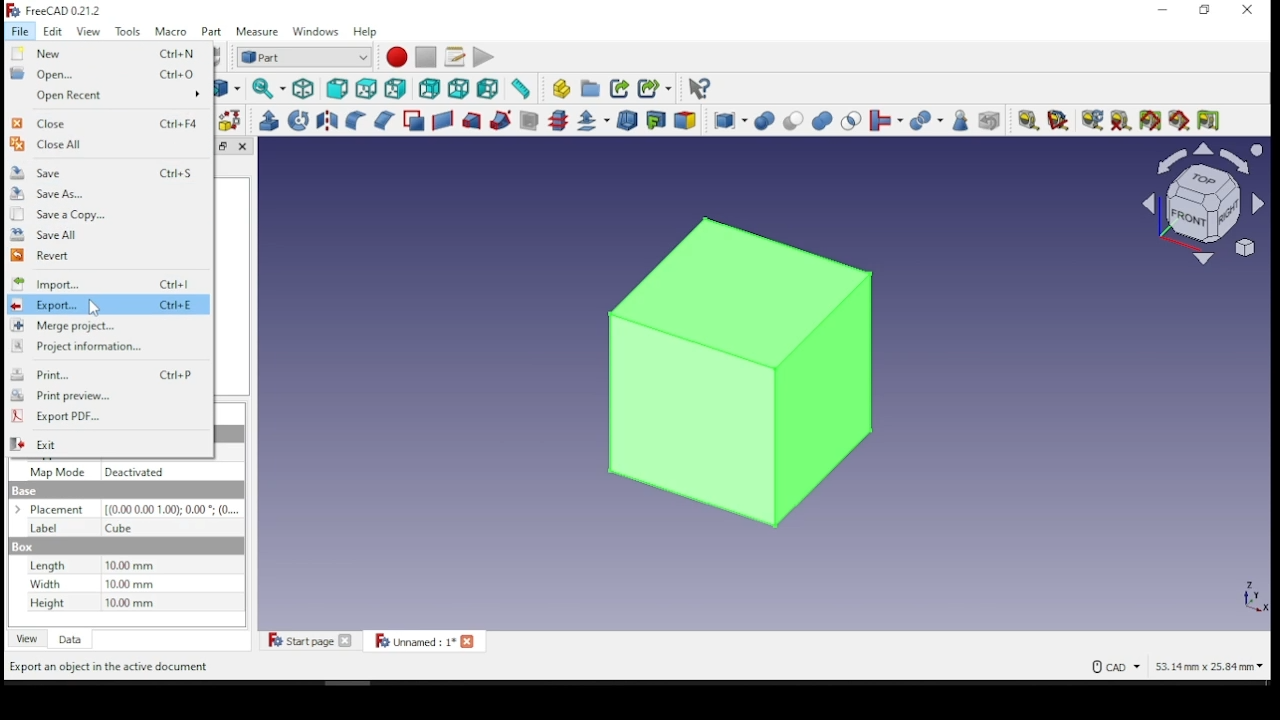 The width and height of the screenshot is (1280, 720). I want to click on 0,000,00, so click(171, 509).